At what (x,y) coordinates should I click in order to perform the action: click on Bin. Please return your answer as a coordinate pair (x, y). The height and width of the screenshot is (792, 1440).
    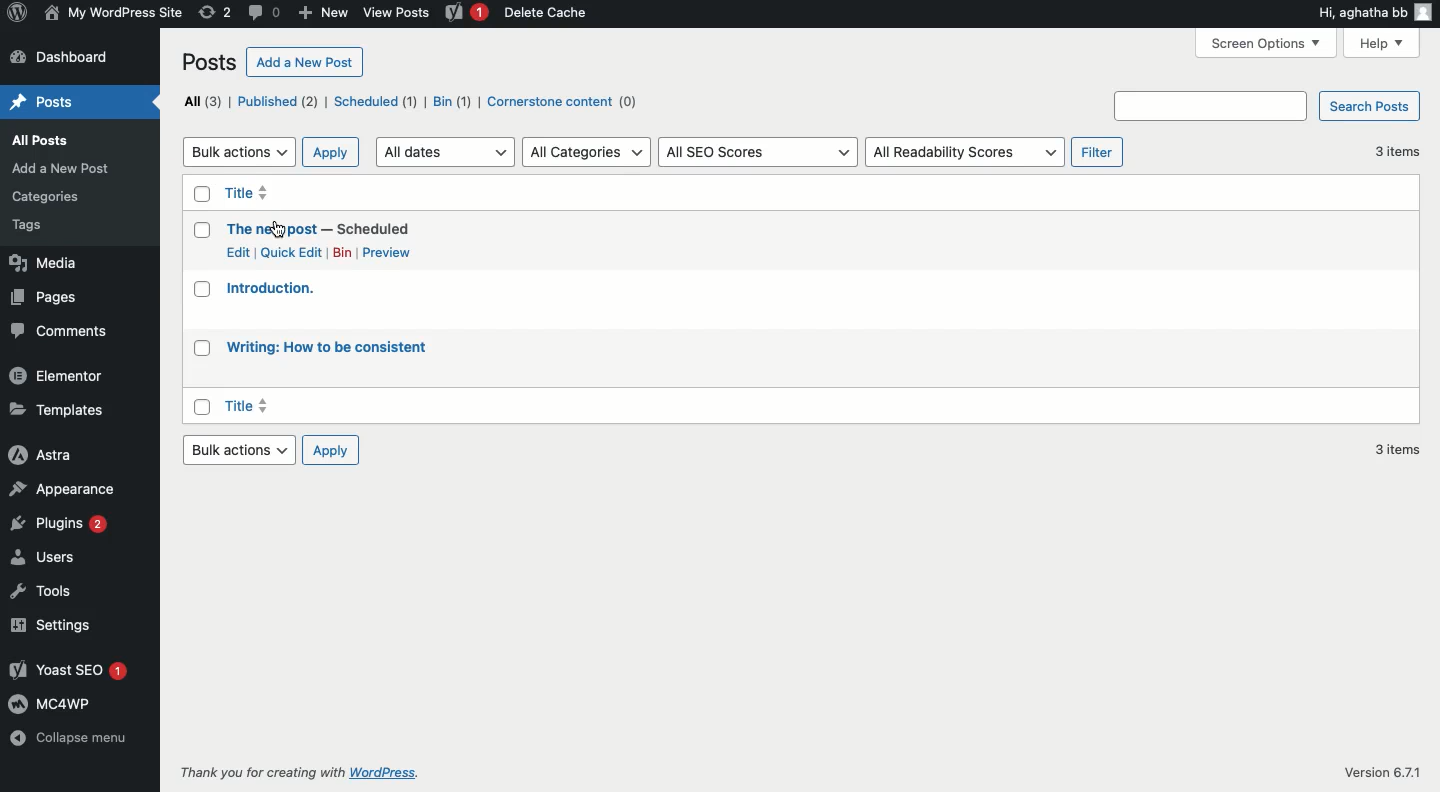
    Looking at the image, I should click on (447, 102).